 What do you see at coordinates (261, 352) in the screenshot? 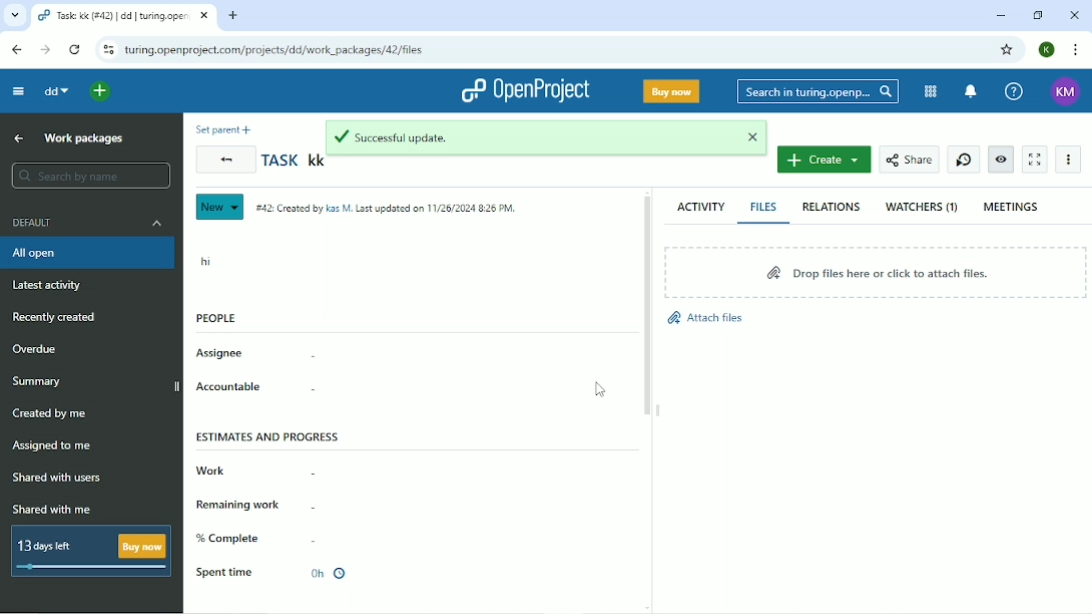
I see `Assignee` at bounding box center [261, 352].